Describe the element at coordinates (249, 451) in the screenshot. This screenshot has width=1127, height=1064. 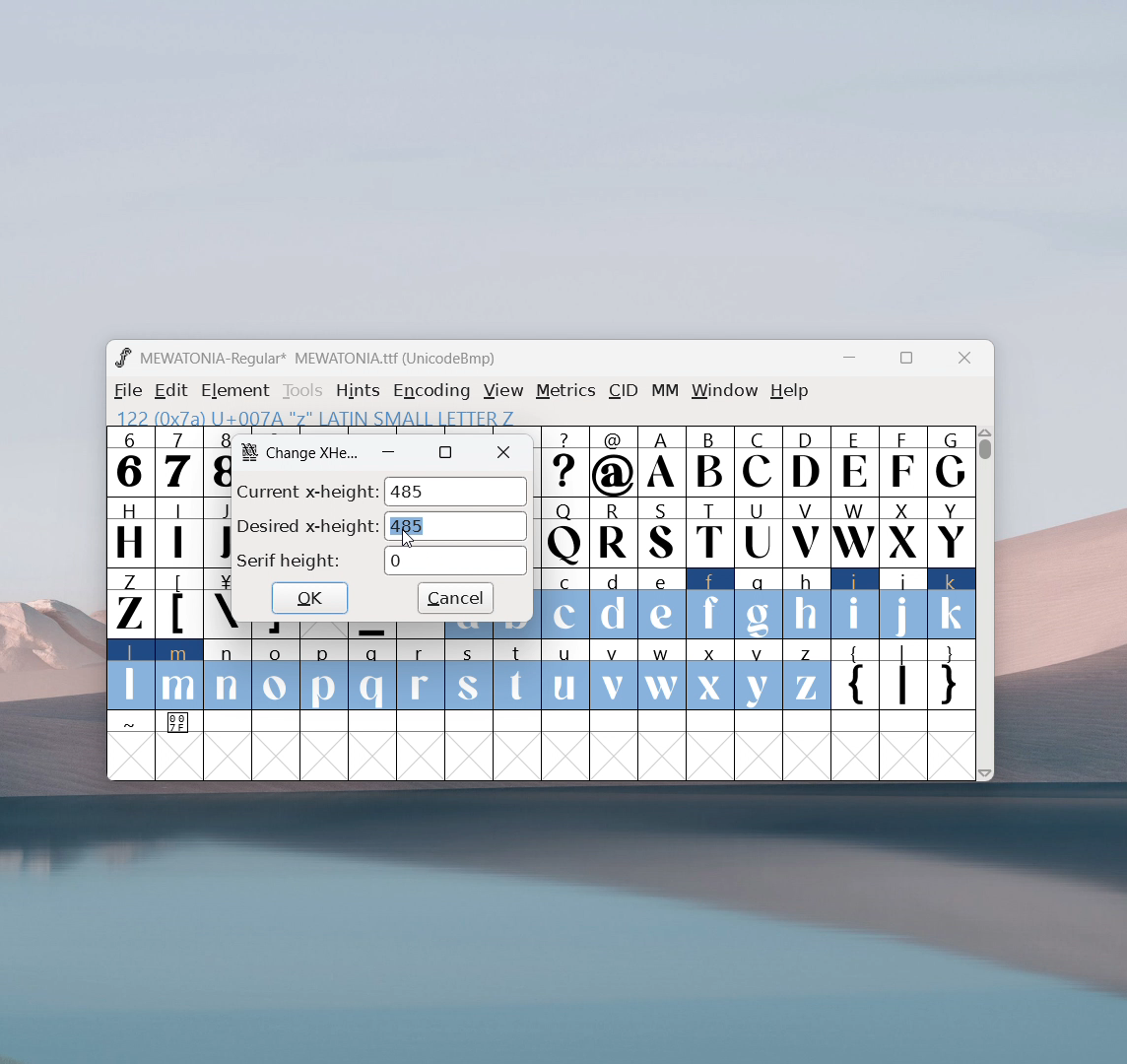
I see `logo` at that location.